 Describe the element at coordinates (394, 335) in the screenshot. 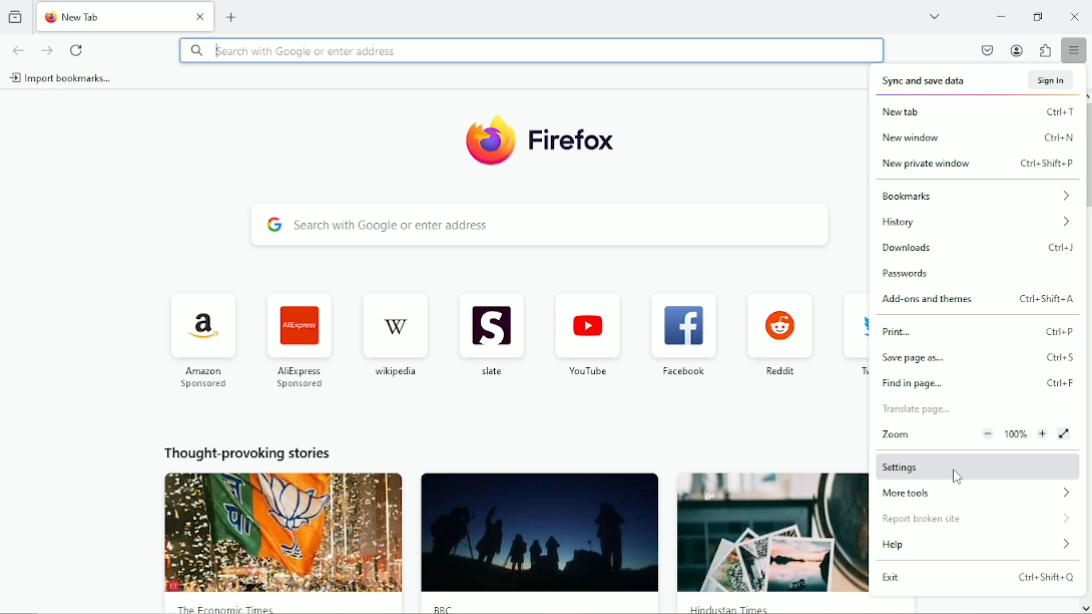

I see `Wikipedia` at that location.